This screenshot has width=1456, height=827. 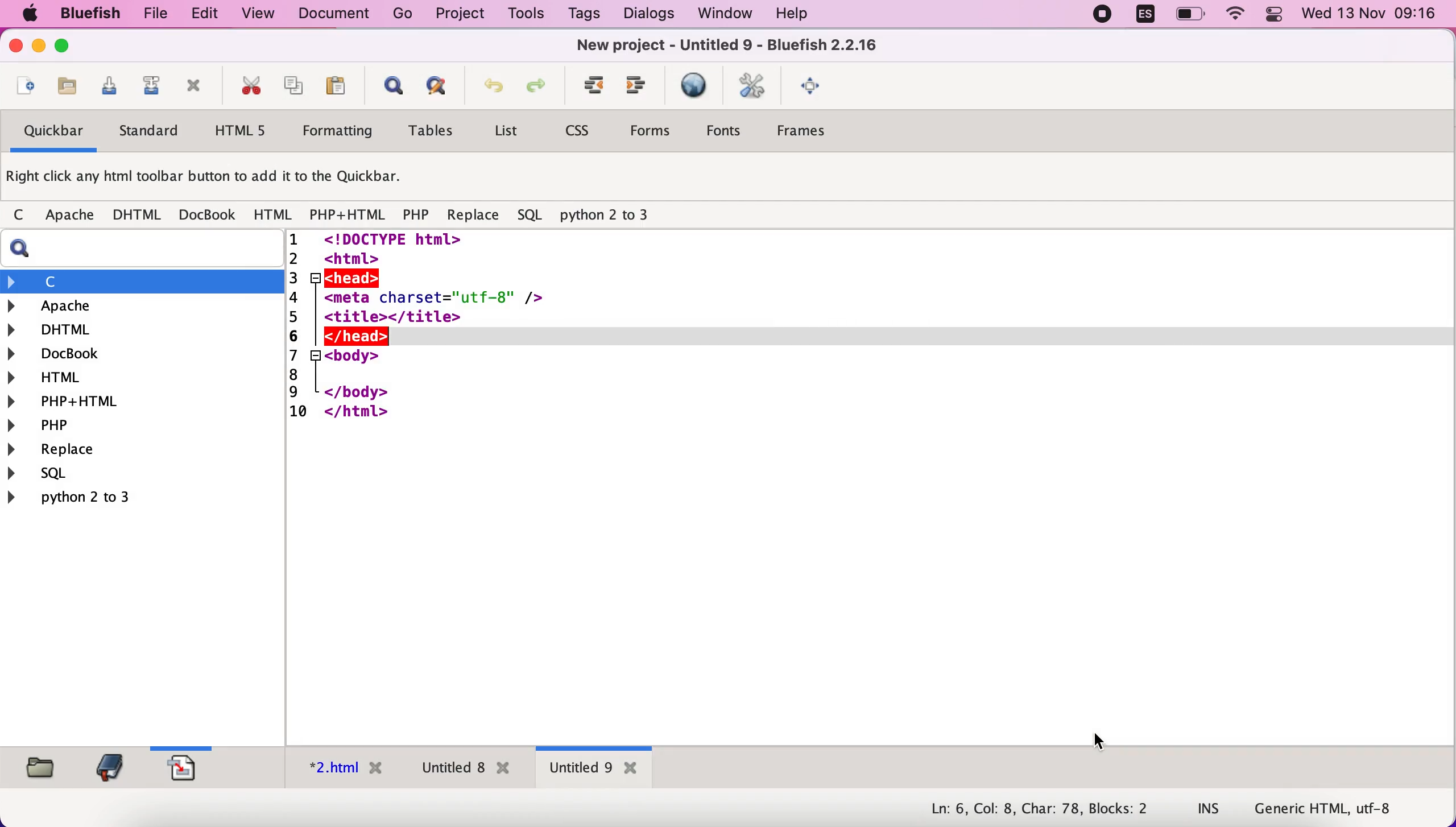 What do you see at coordinates (1237, 15) in the screenshot?
I see `wifi` at bounding box center [1237, 15].